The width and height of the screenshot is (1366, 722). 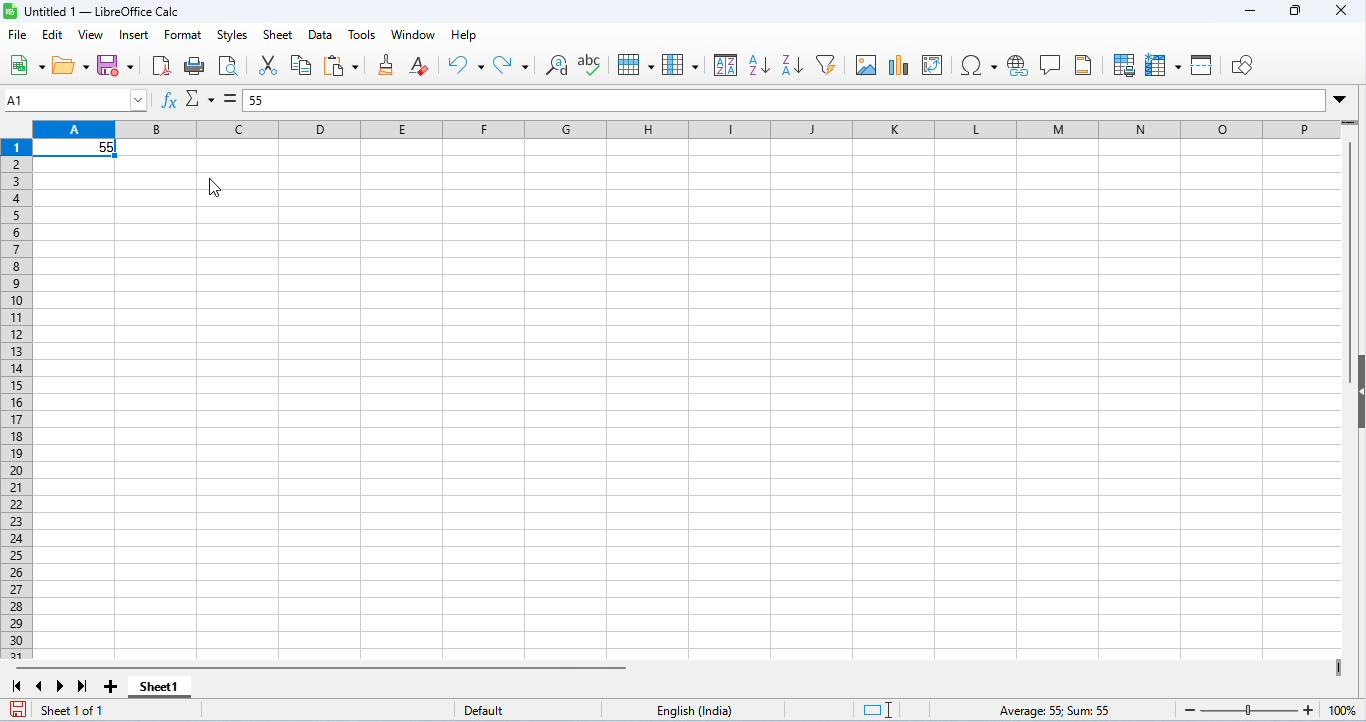 What do you see at coordinates (1124, 65) in the screenshot?
I see `define print area` at bounding box center [1124, 65].